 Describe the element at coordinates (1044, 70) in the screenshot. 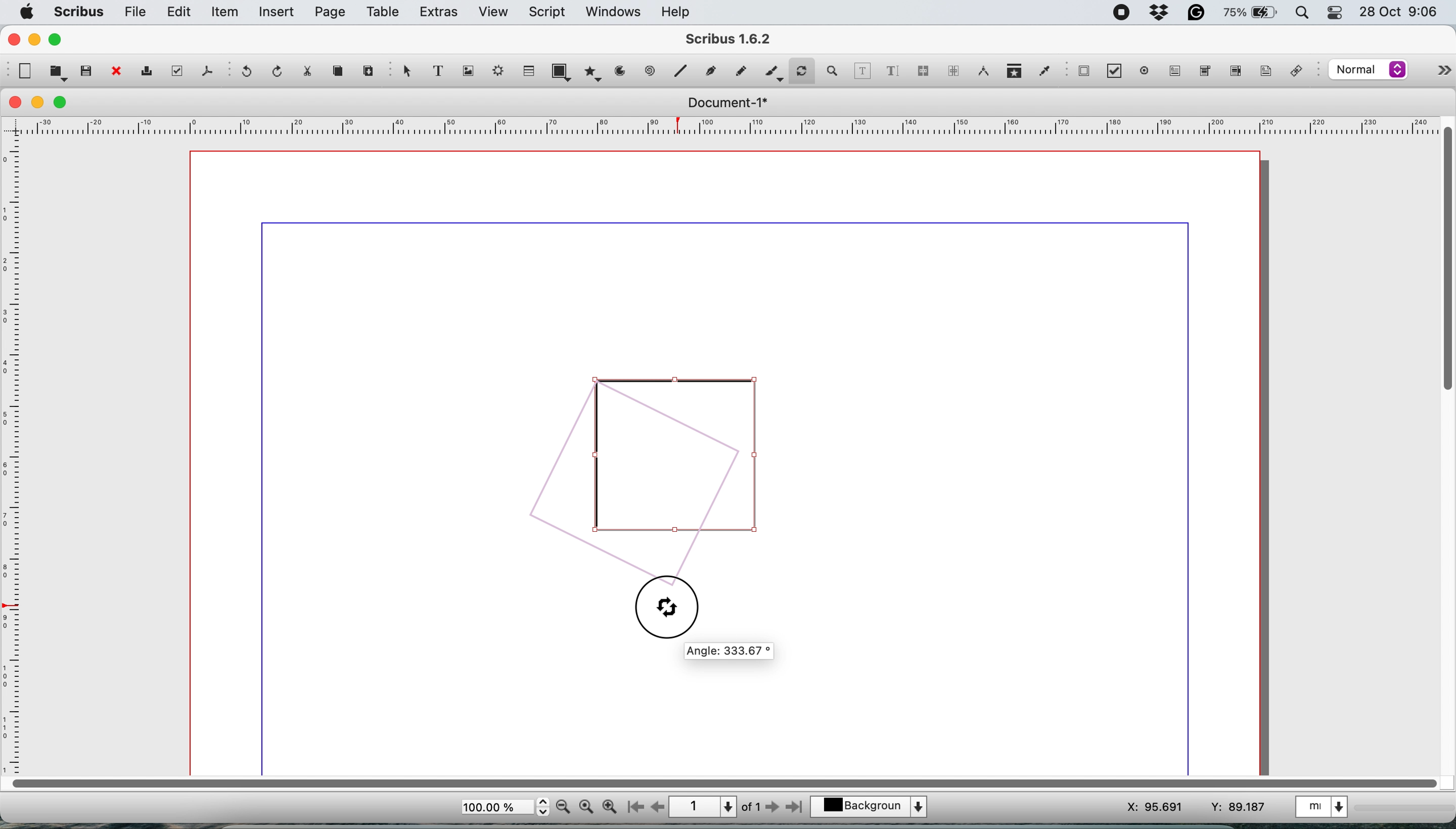

I see `eye dropper` at that location.